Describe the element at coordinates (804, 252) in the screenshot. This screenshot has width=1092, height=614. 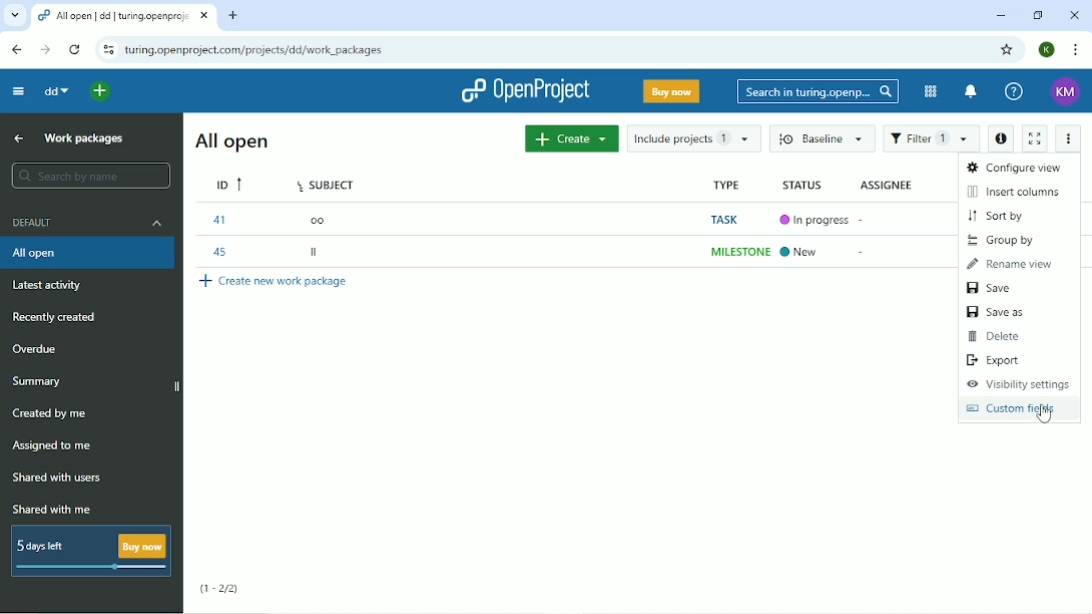
I see `New` at that location.